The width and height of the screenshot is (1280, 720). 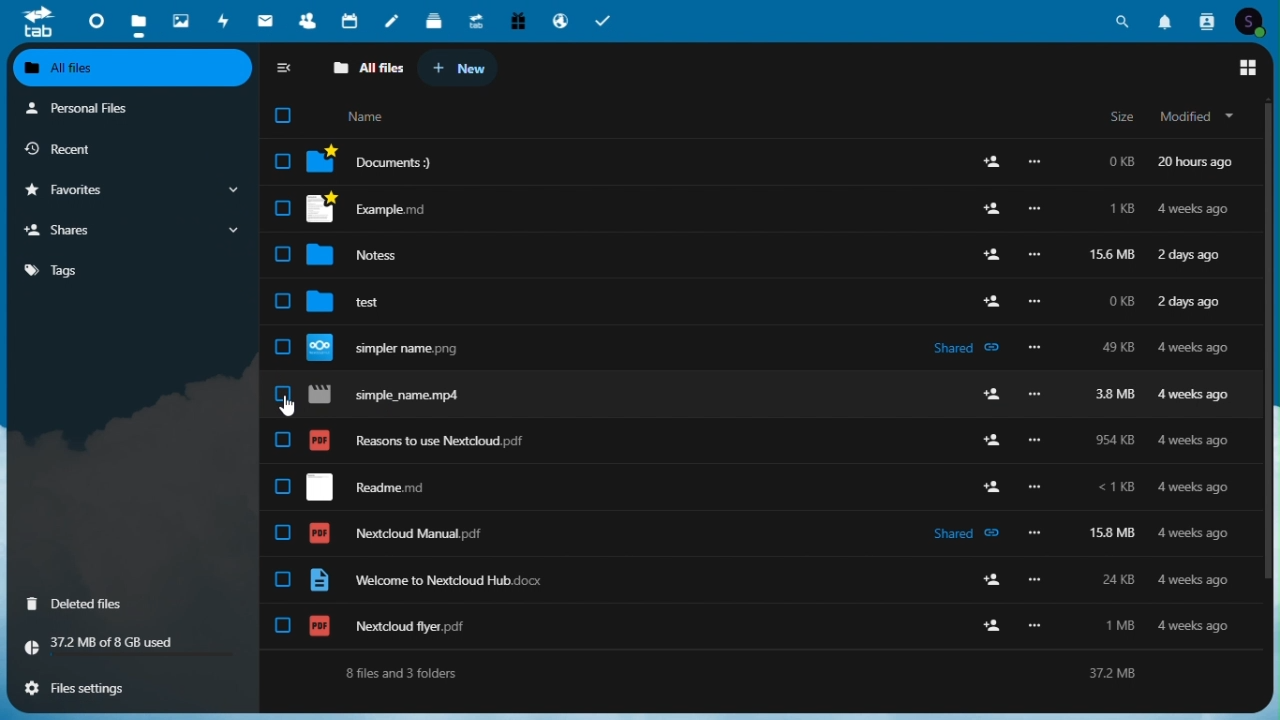 What do you see at coordinates (38, 21) in the screenshot?
I see `tab` at bounding box center [38, 21].